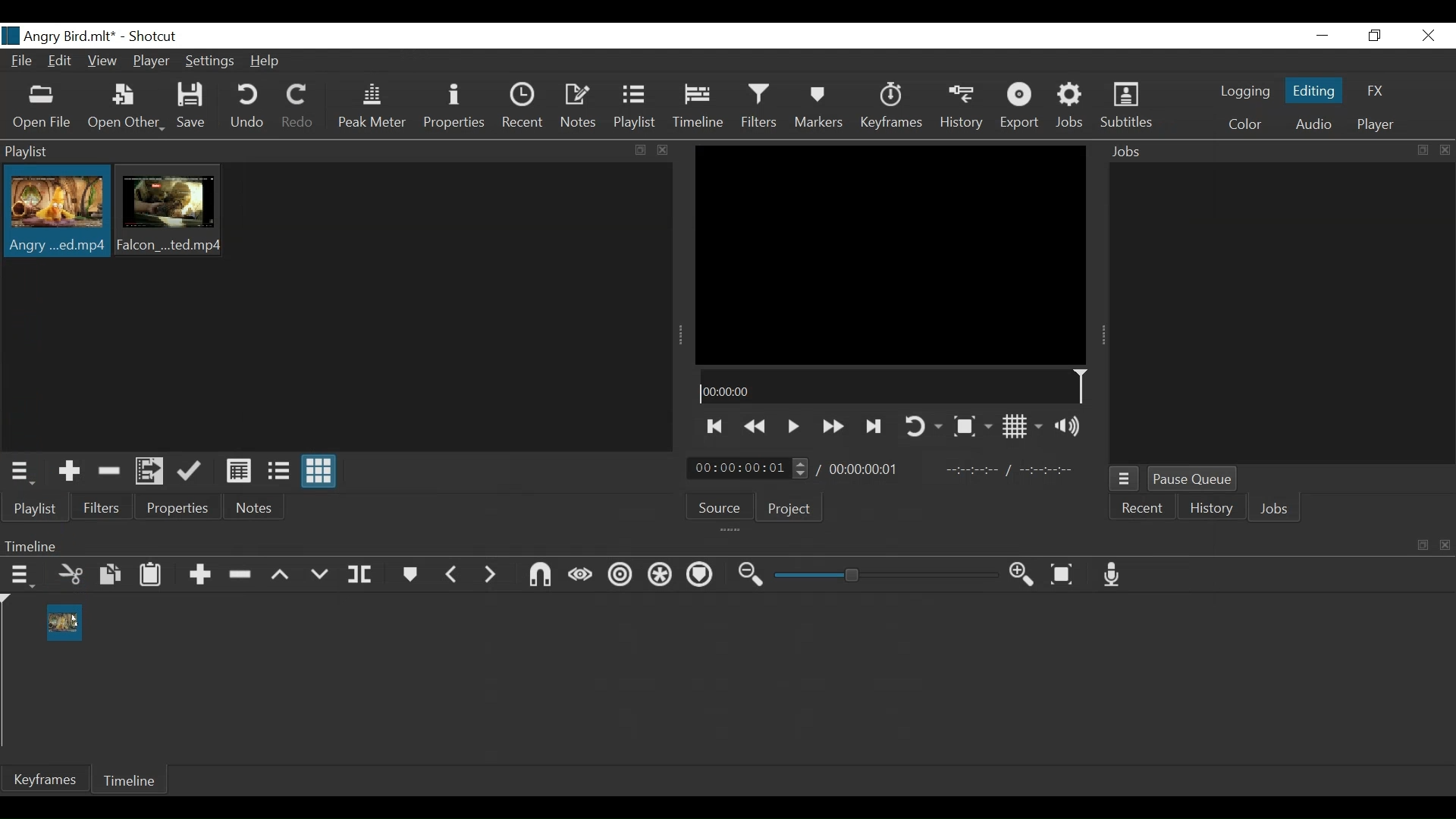 This screenshot has height=819, width=1456. Describe the element at coordinates (638, 106) in the screenshot. I see `Playlist` at that location.